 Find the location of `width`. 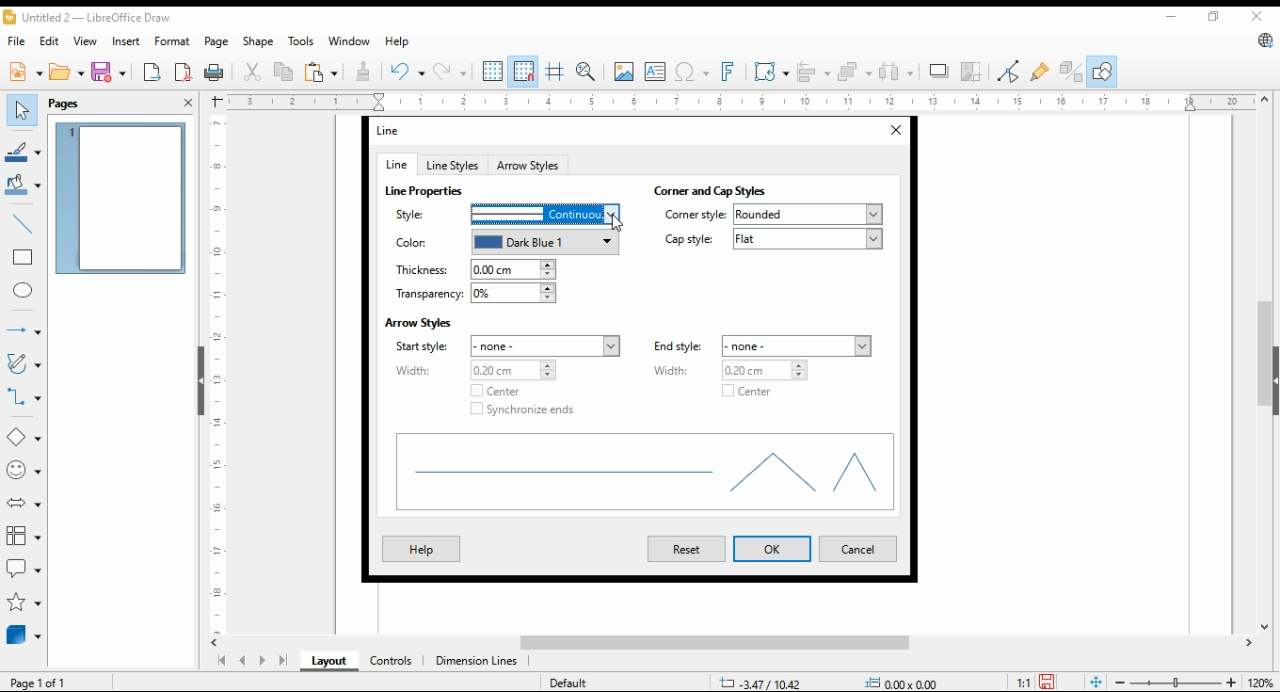

width is located at coordinates (733, 370).